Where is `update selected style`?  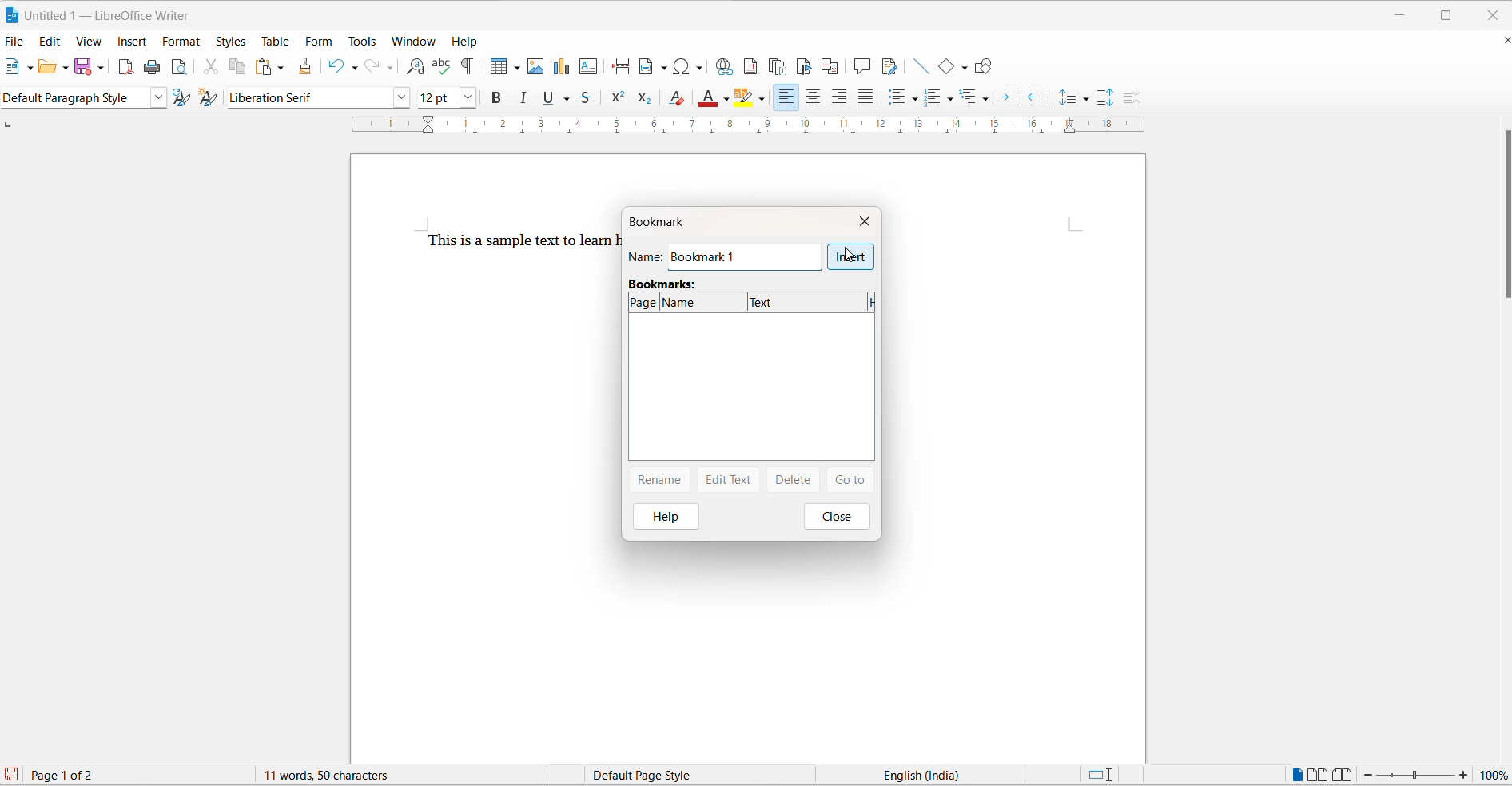
update selected style is located at coordinates (180, 97).